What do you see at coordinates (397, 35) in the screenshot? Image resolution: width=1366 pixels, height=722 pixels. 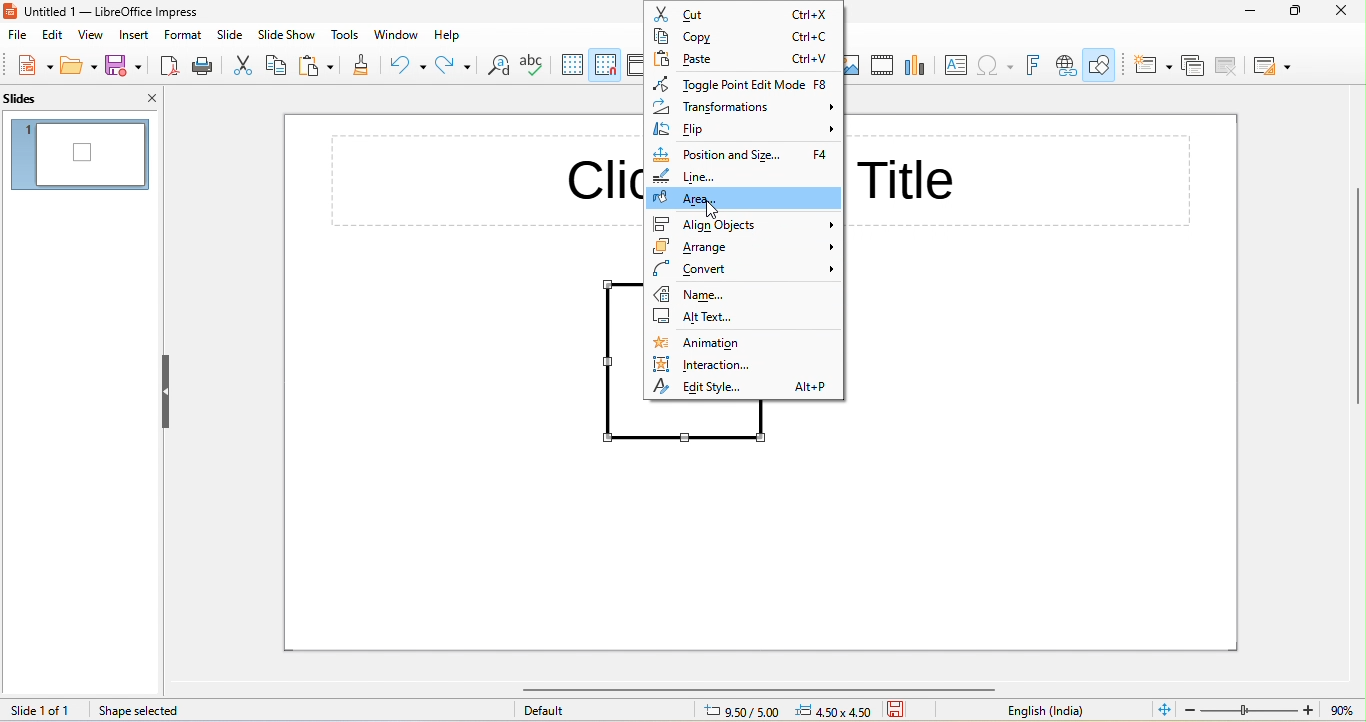 I see `window` at bounding box center [397, 35].